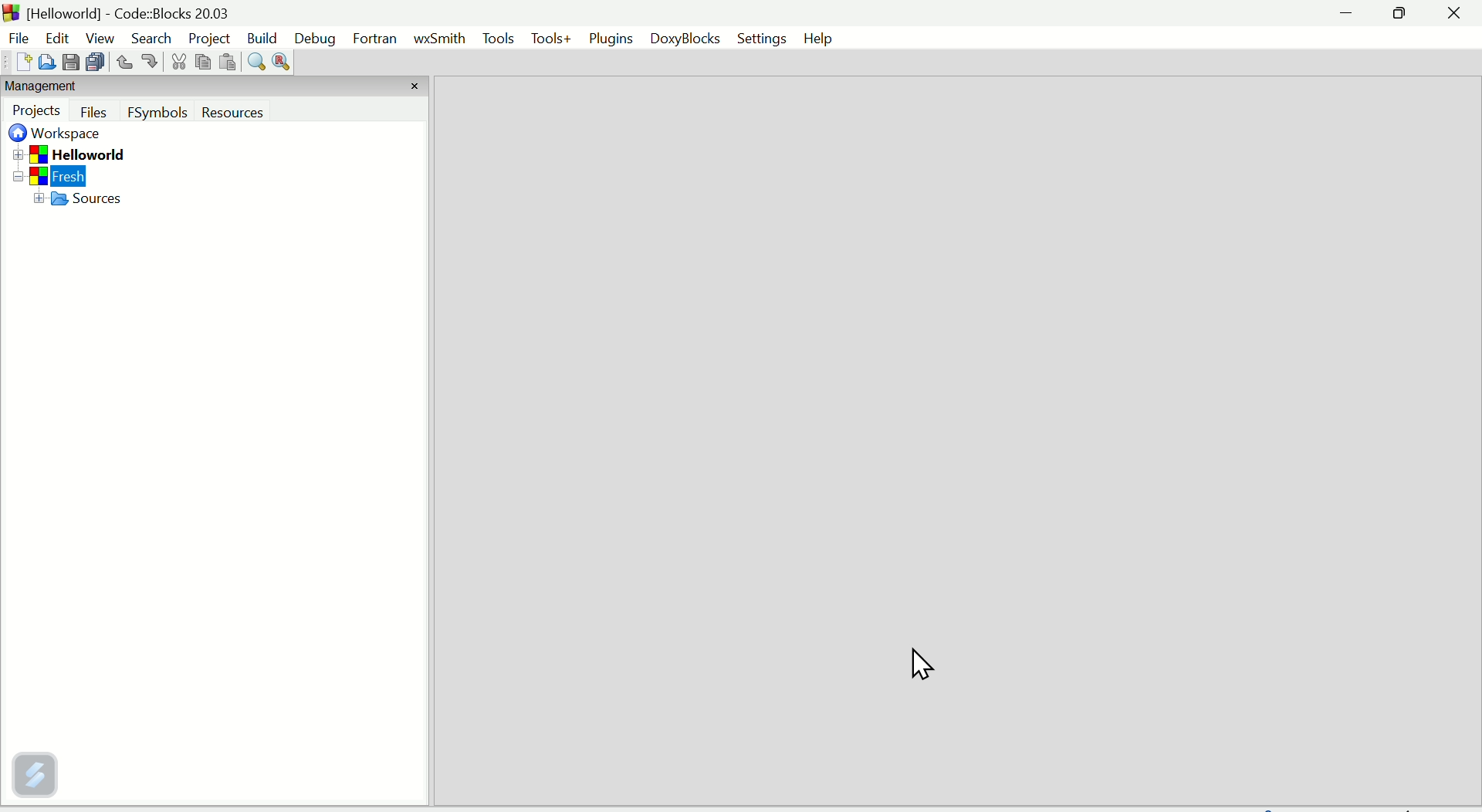 The image size is (1482, 812). I want to click on fortran, so click(378, 40).